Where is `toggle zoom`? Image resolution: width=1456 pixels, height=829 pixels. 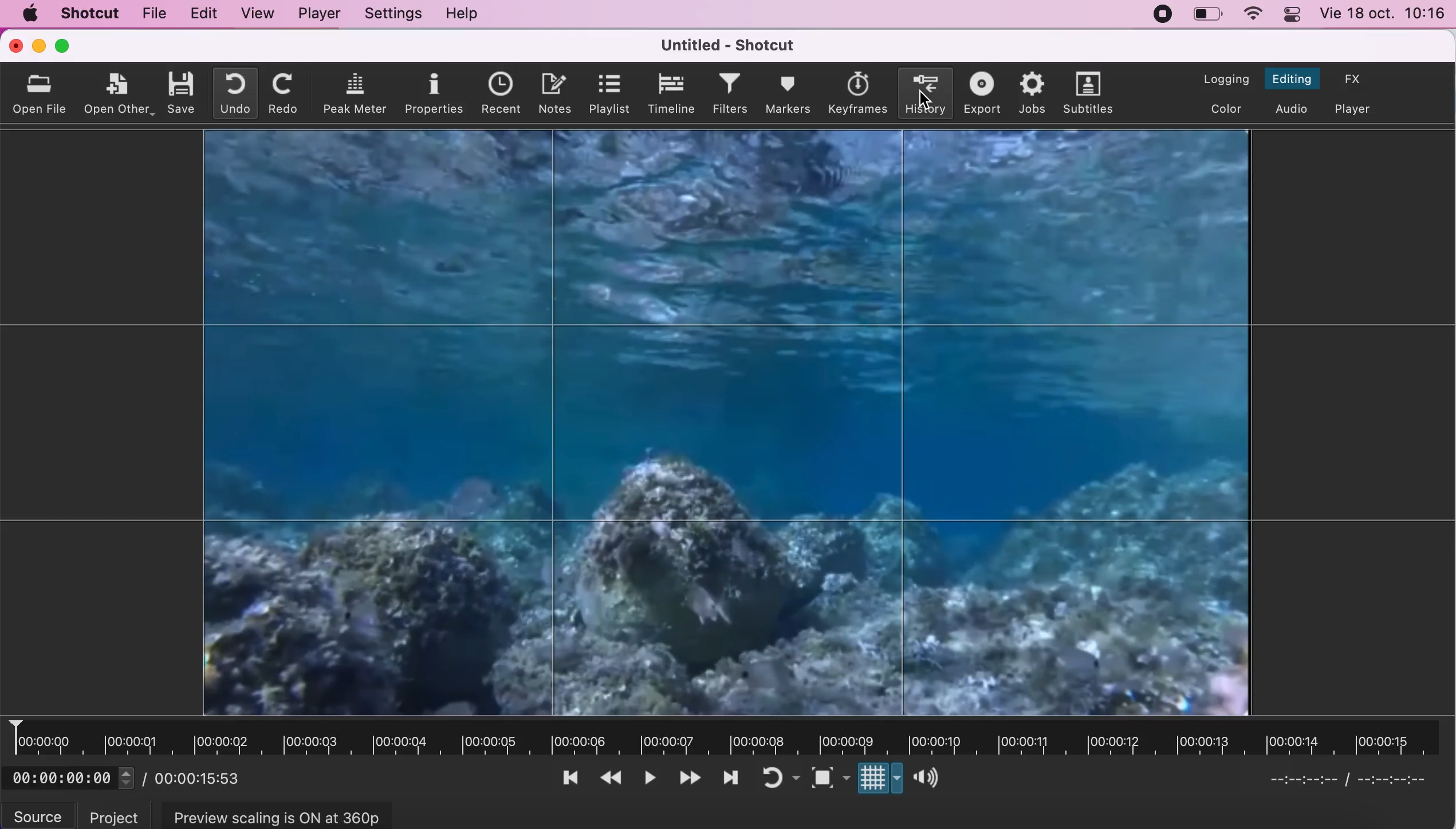 toggle zoom is located at coordinates (829, 780).